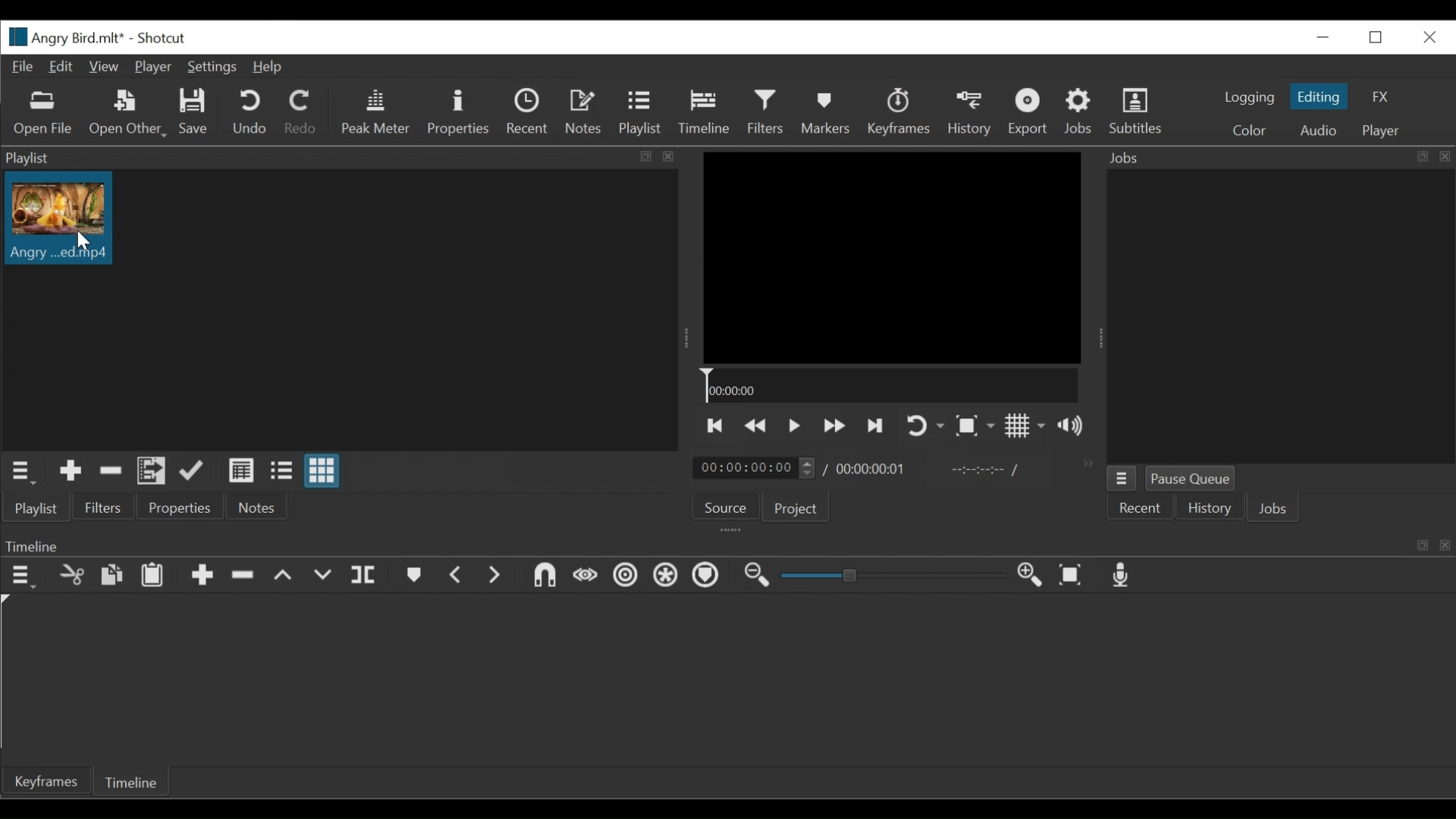  Describe the element at coordinates (1326, 37) in the screenshot. I see `Minimize` at that location.